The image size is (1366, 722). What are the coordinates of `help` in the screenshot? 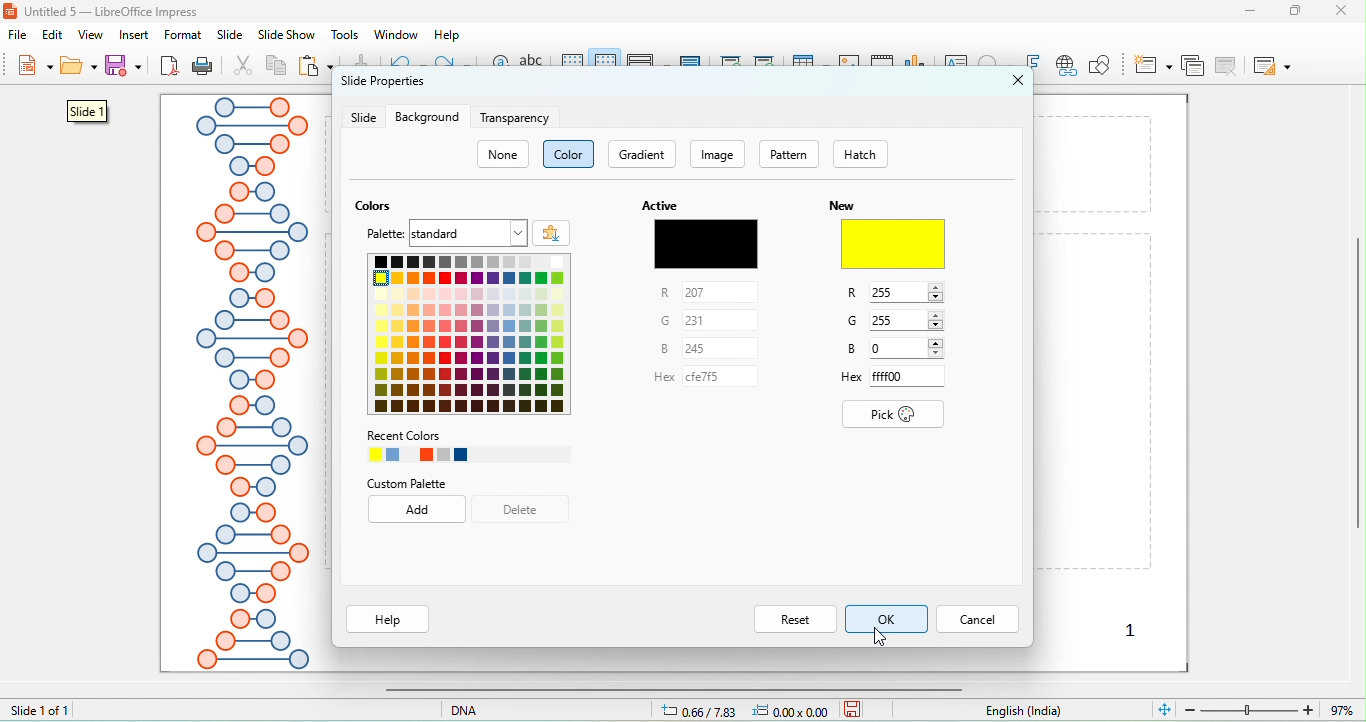 It's located at (389, 619).